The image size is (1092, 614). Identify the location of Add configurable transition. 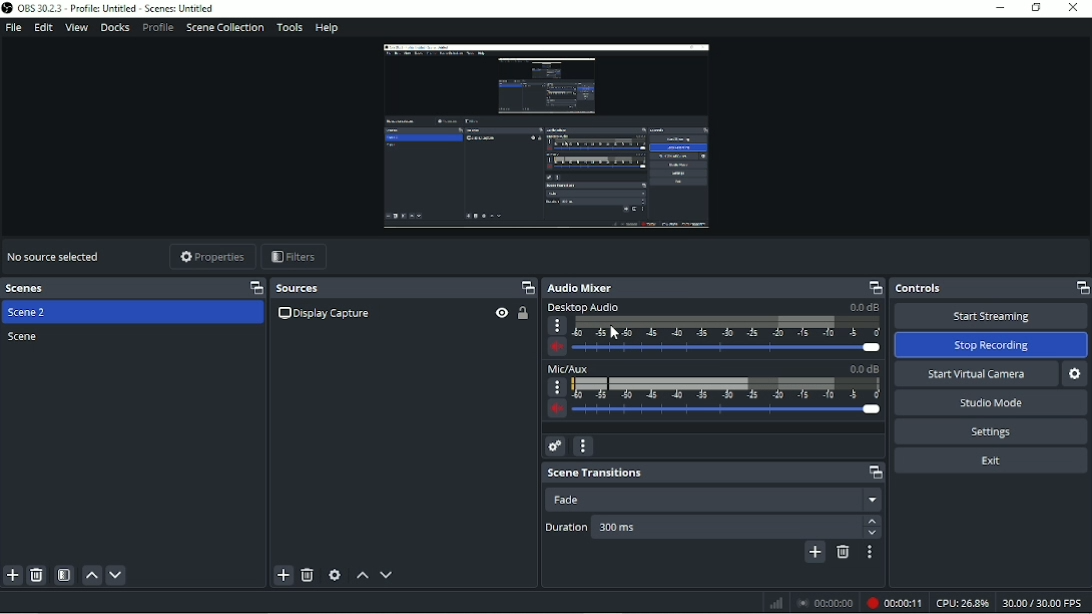
(816, 553).